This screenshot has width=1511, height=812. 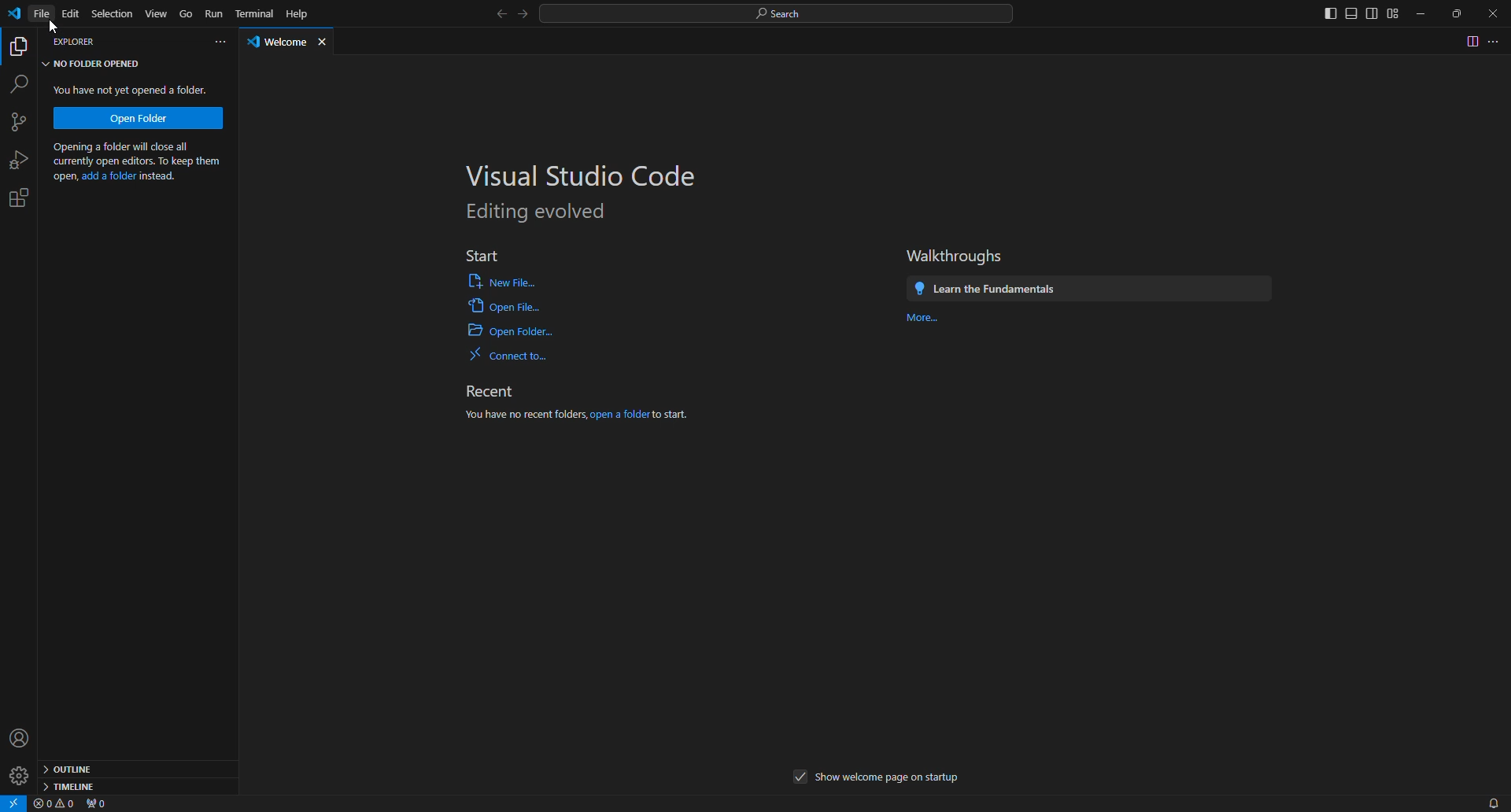 I want to click on maximize, so click(x=1457, y=14).